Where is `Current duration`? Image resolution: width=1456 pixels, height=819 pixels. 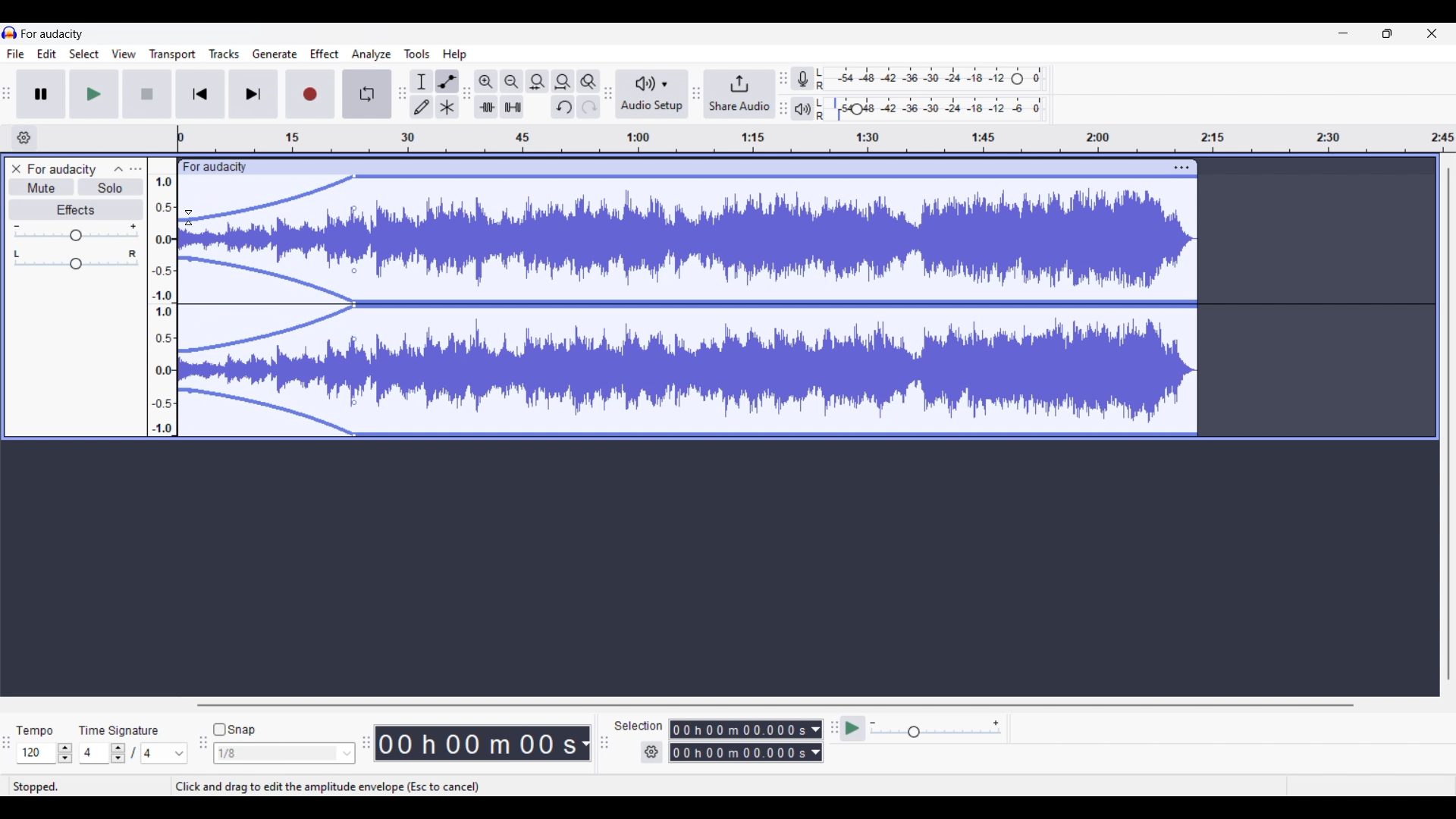 Current duration is located at coordinates (475, 743).